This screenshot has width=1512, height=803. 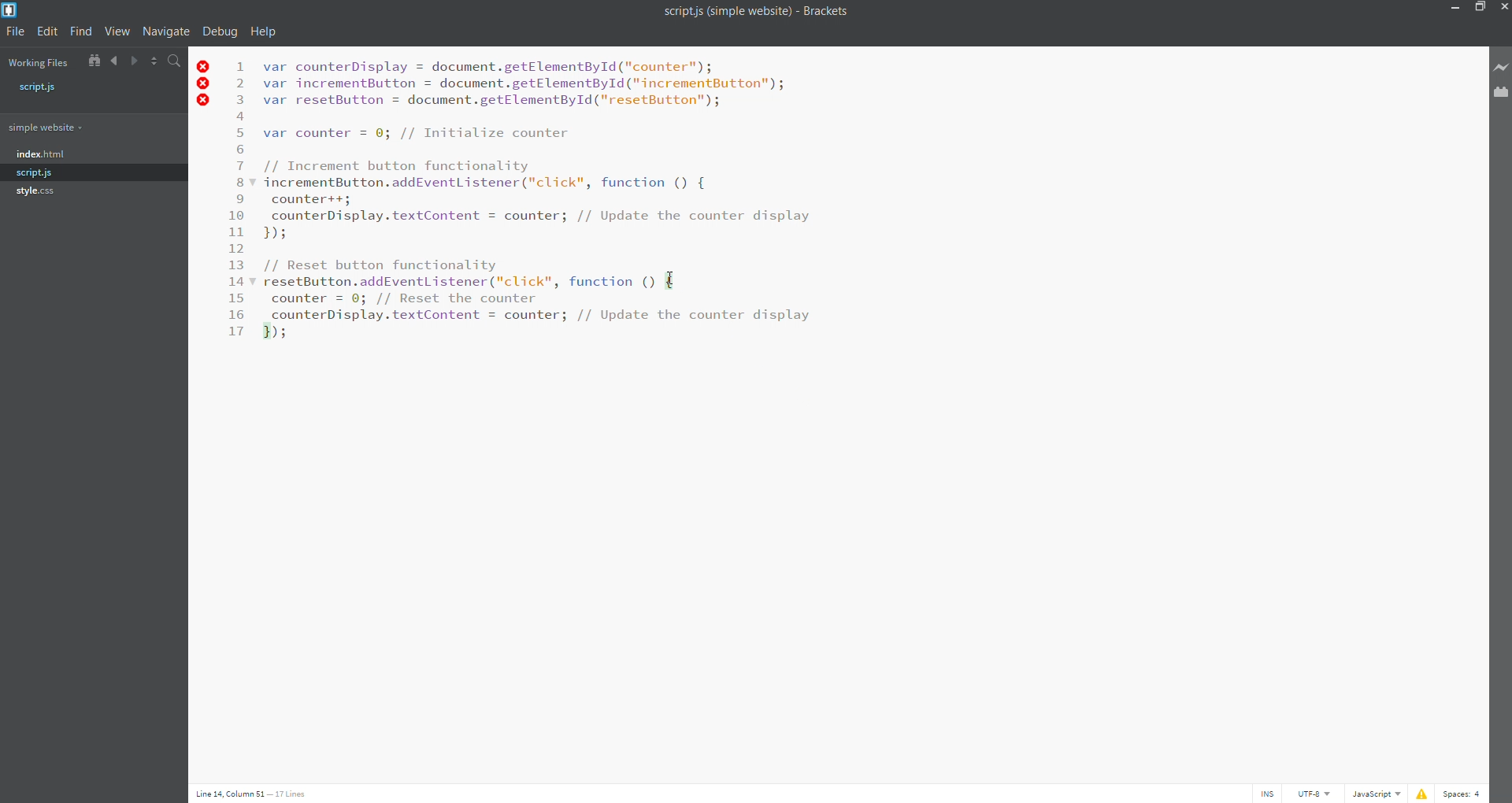 What do you see at coordinates (91, 172) in the screenshot?
I see `script.js` at bounding box center [91, 172].